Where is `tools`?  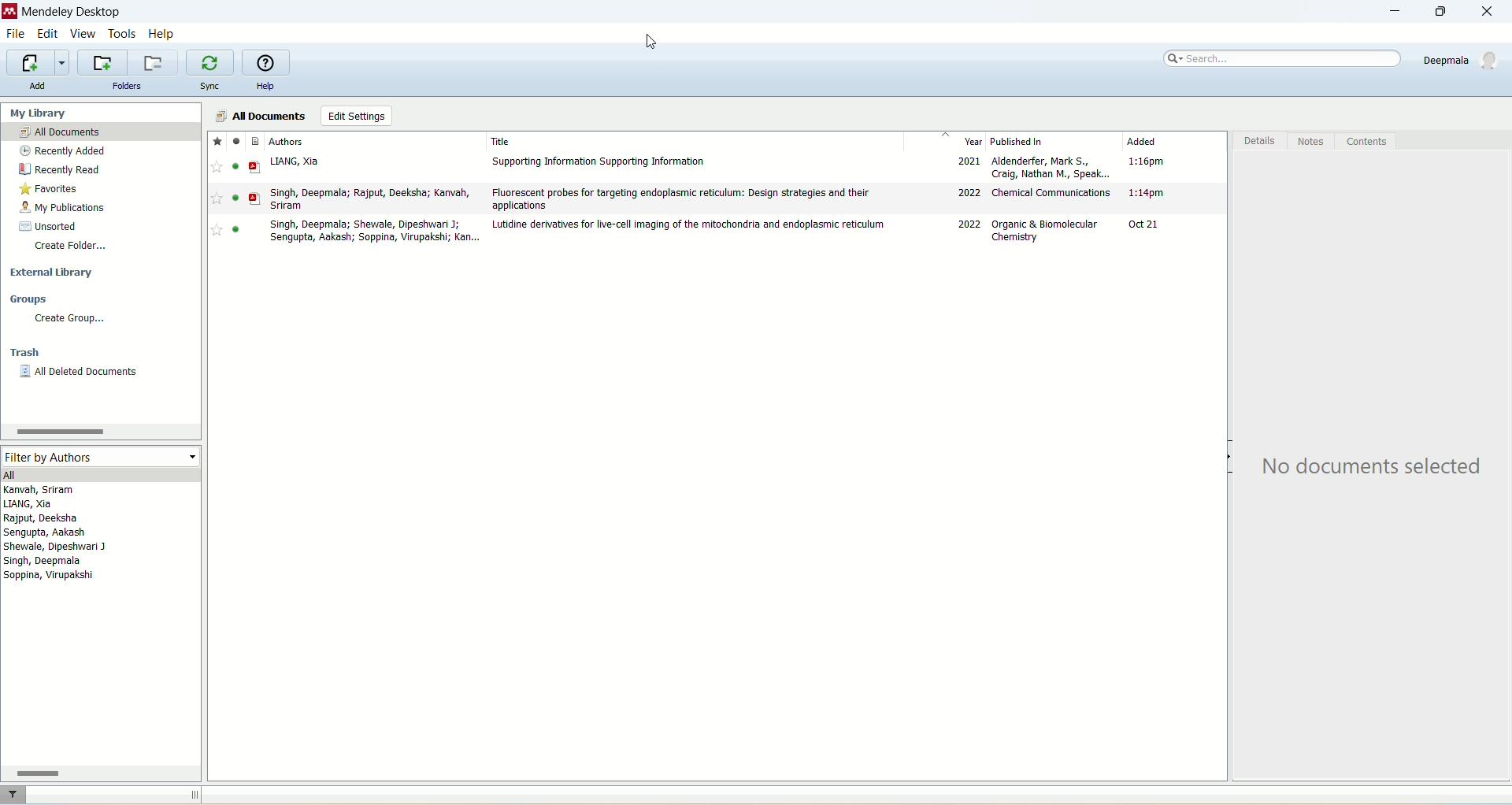
tools is located at coordinates (123, 33).